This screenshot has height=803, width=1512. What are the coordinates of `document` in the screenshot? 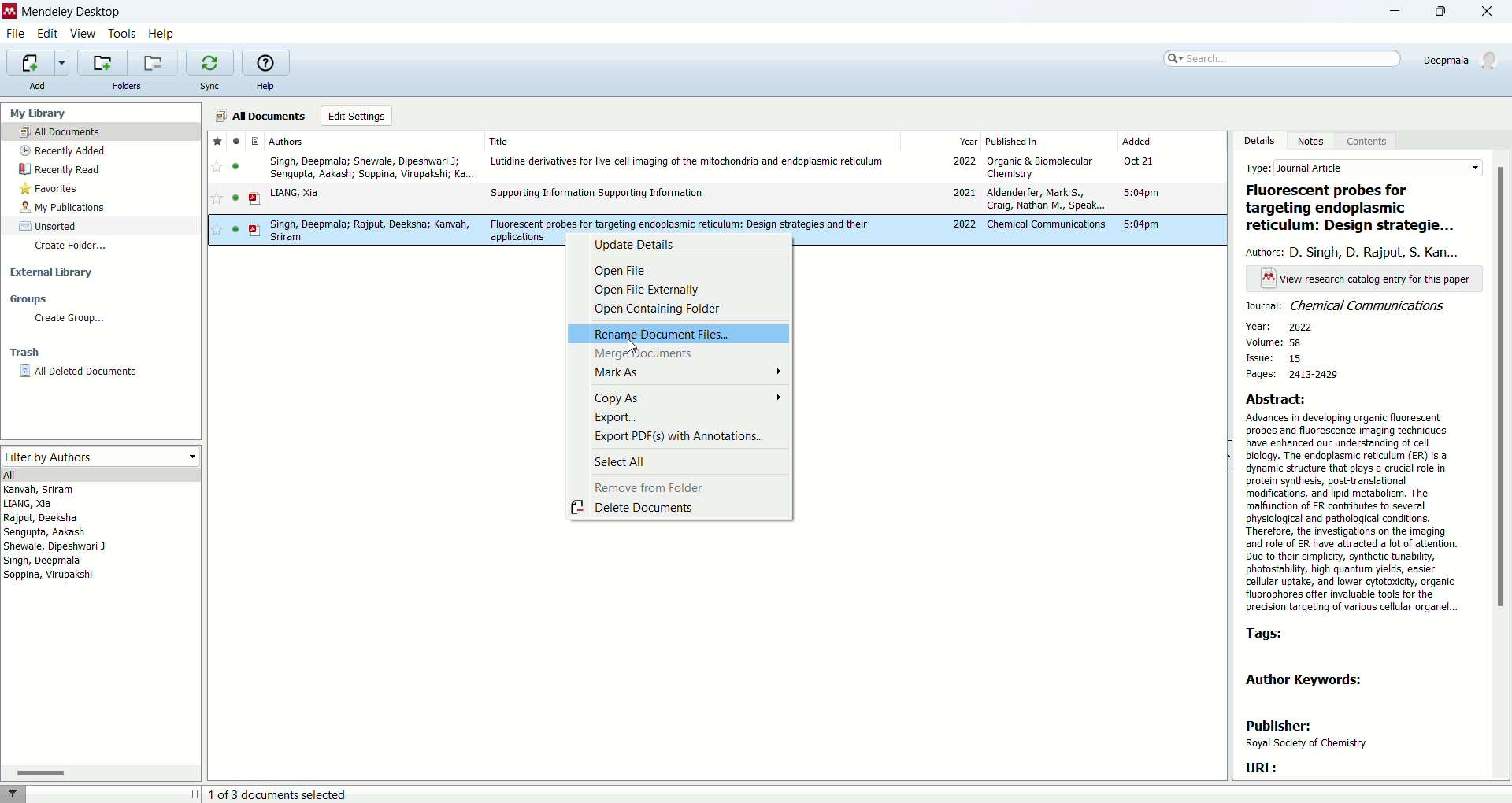 It's located at (258, 140).